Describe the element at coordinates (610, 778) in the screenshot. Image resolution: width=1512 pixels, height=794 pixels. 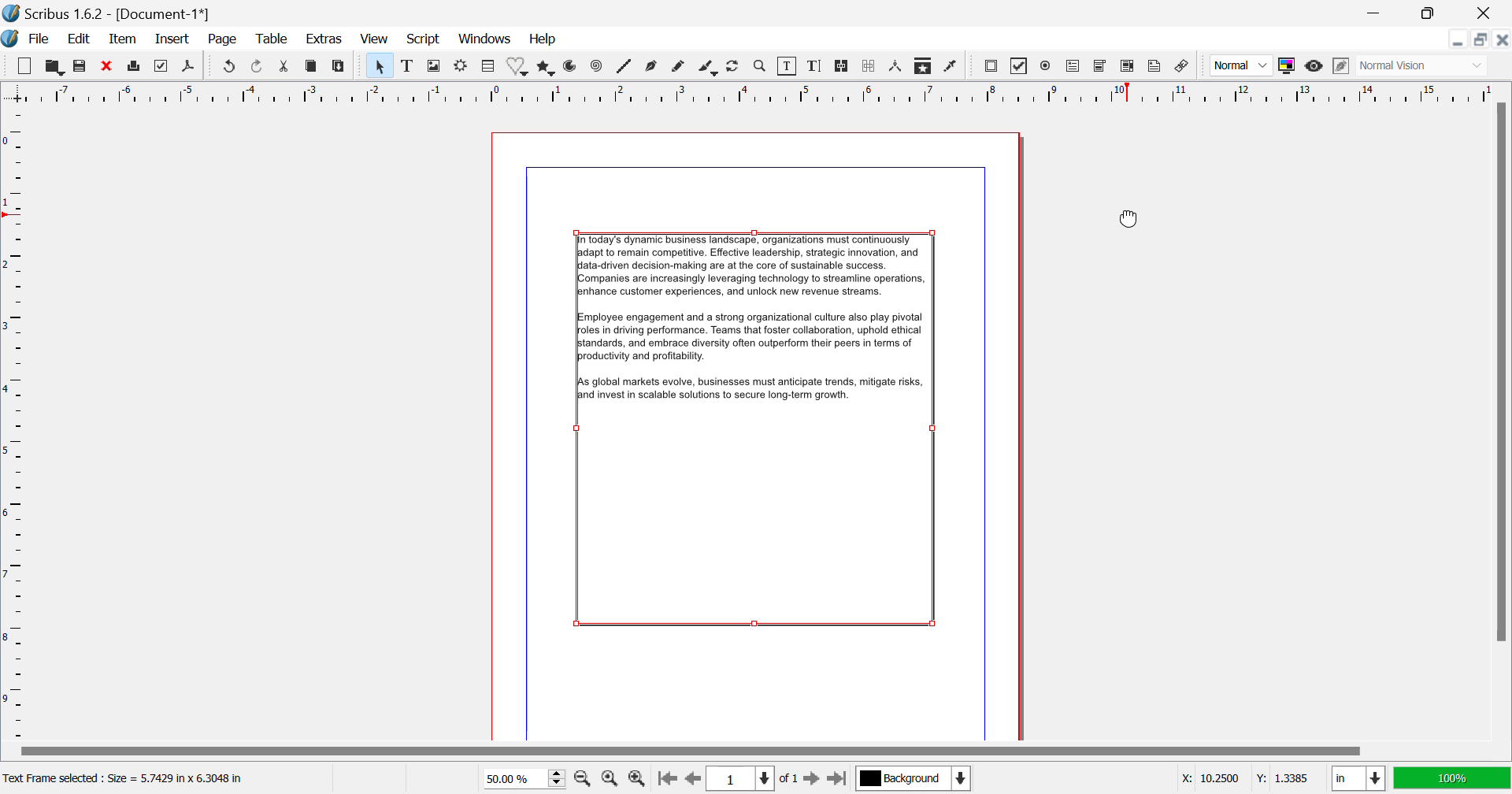
I see `Zoom to 100%` at that location.